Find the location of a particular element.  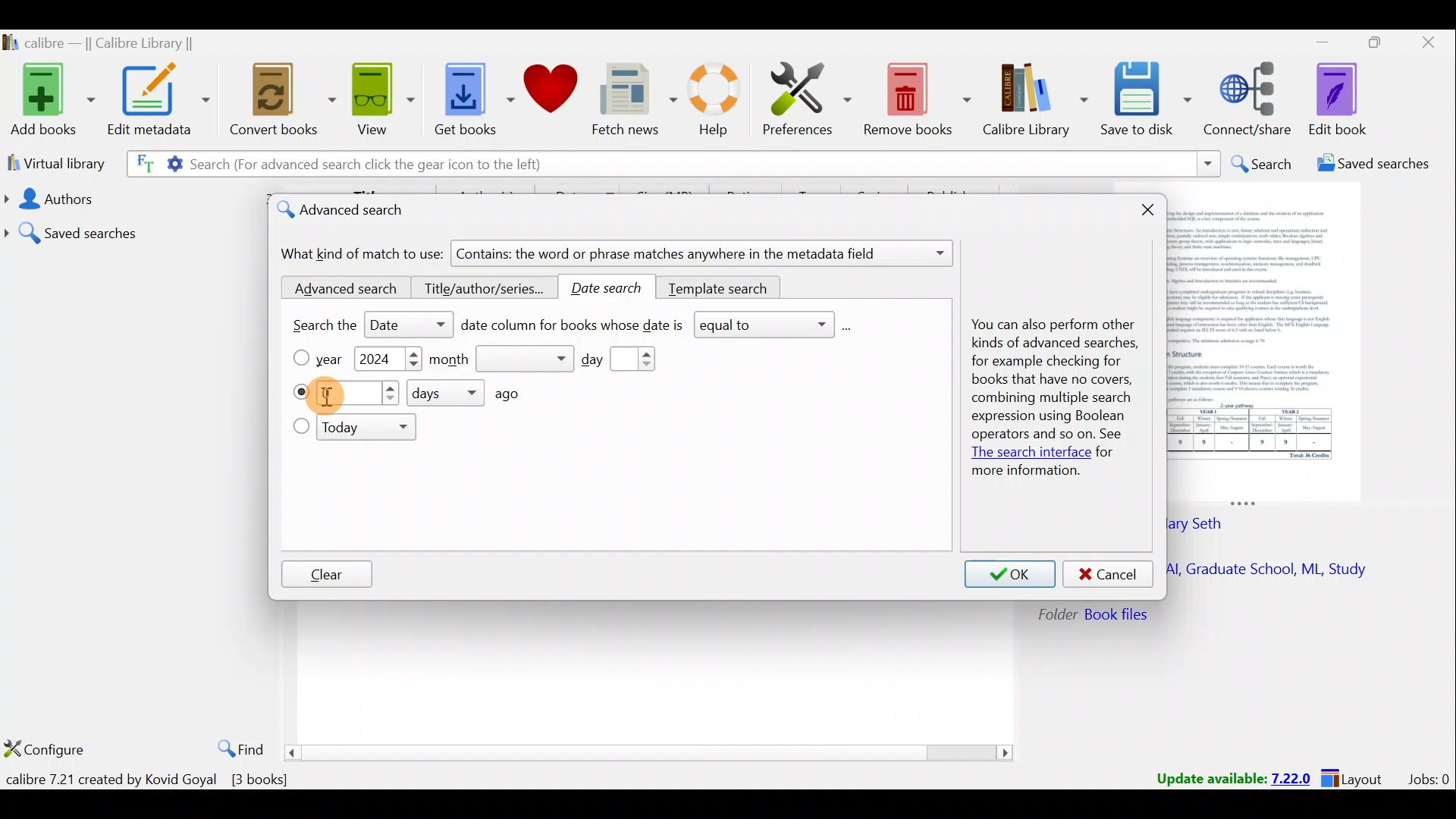

Fetch news is located at coordinates (634, 100).